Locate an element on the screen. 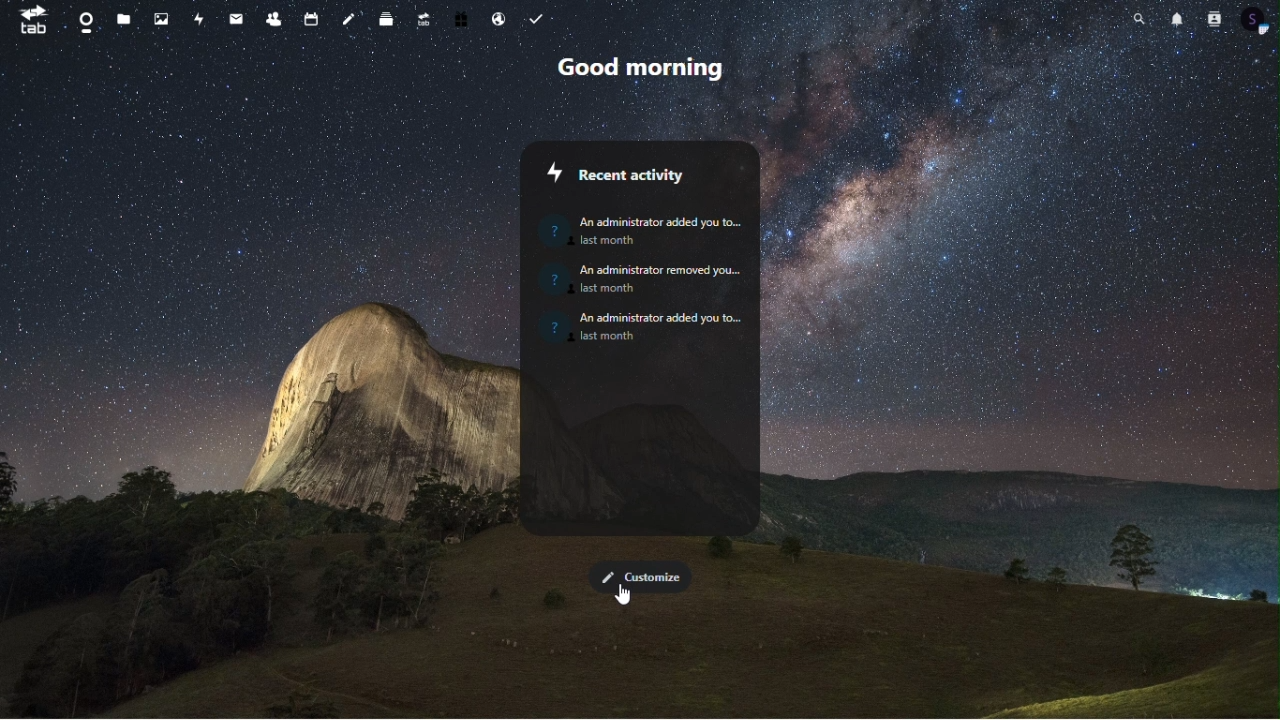 The width and height of the screenshot is (1280, 720).  An administrator removed you, last month is located at coordinates (647, 278).